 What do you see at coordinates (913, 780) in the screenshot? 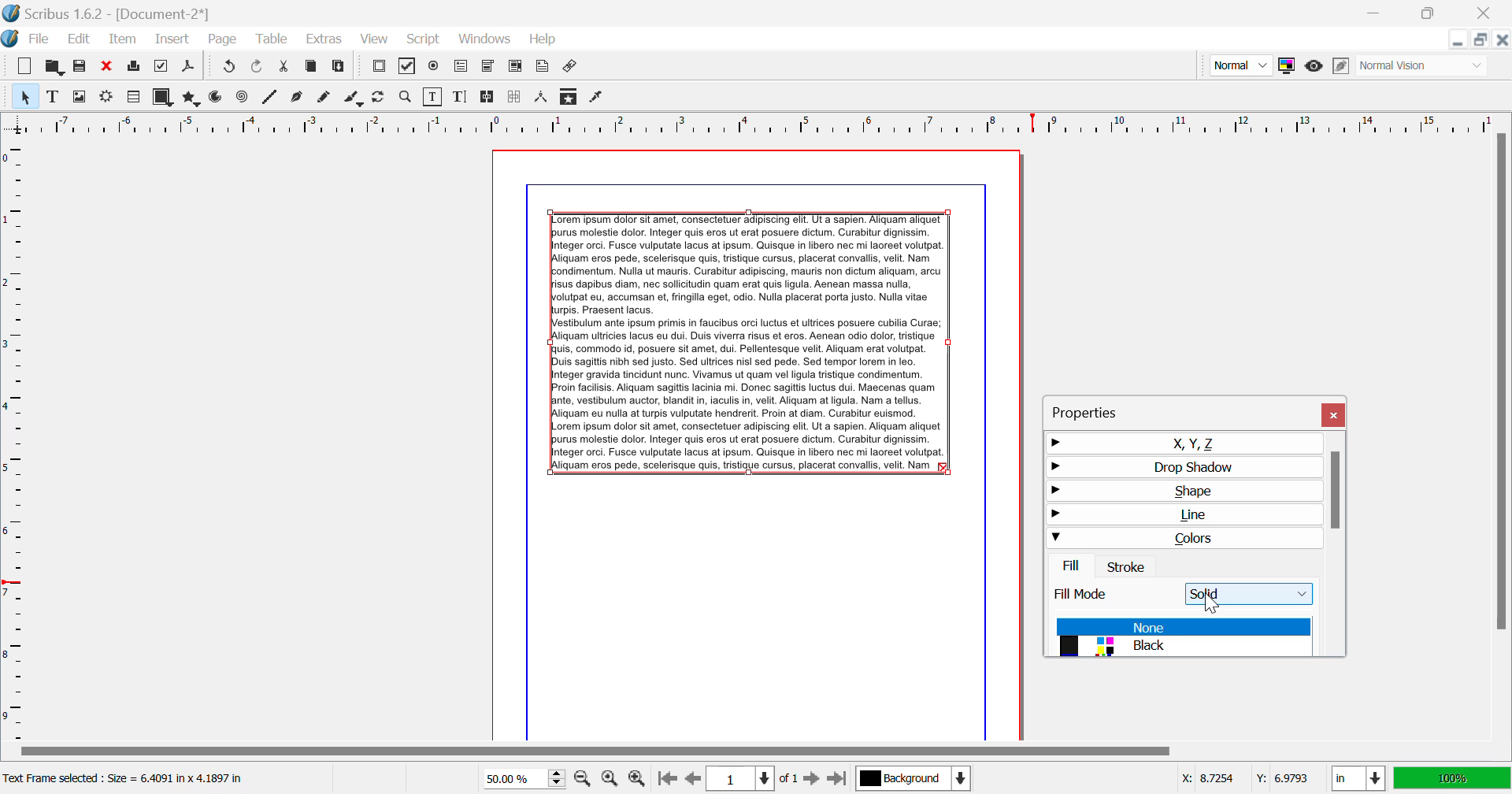
I see `Background` at bounding box center [913, 780].